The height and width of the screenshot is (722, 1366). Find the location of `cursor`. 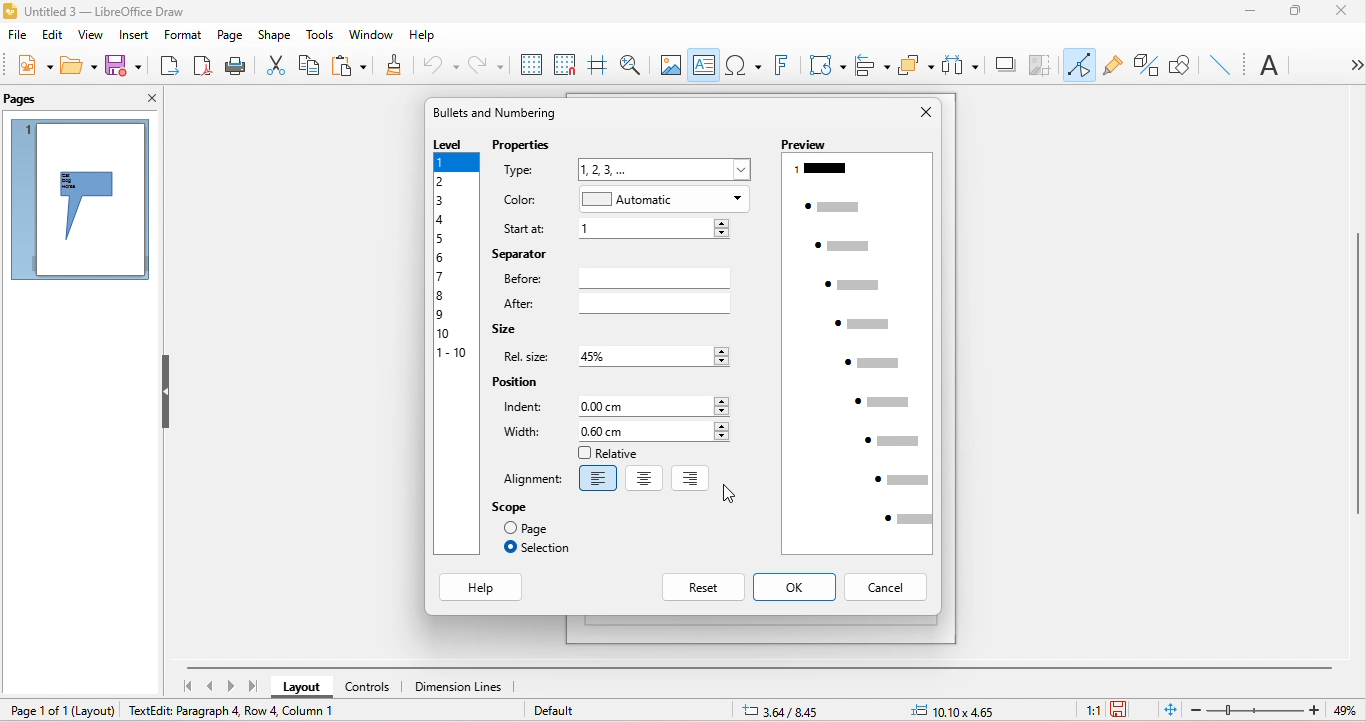

cursor is located at coordinates (730, 495).